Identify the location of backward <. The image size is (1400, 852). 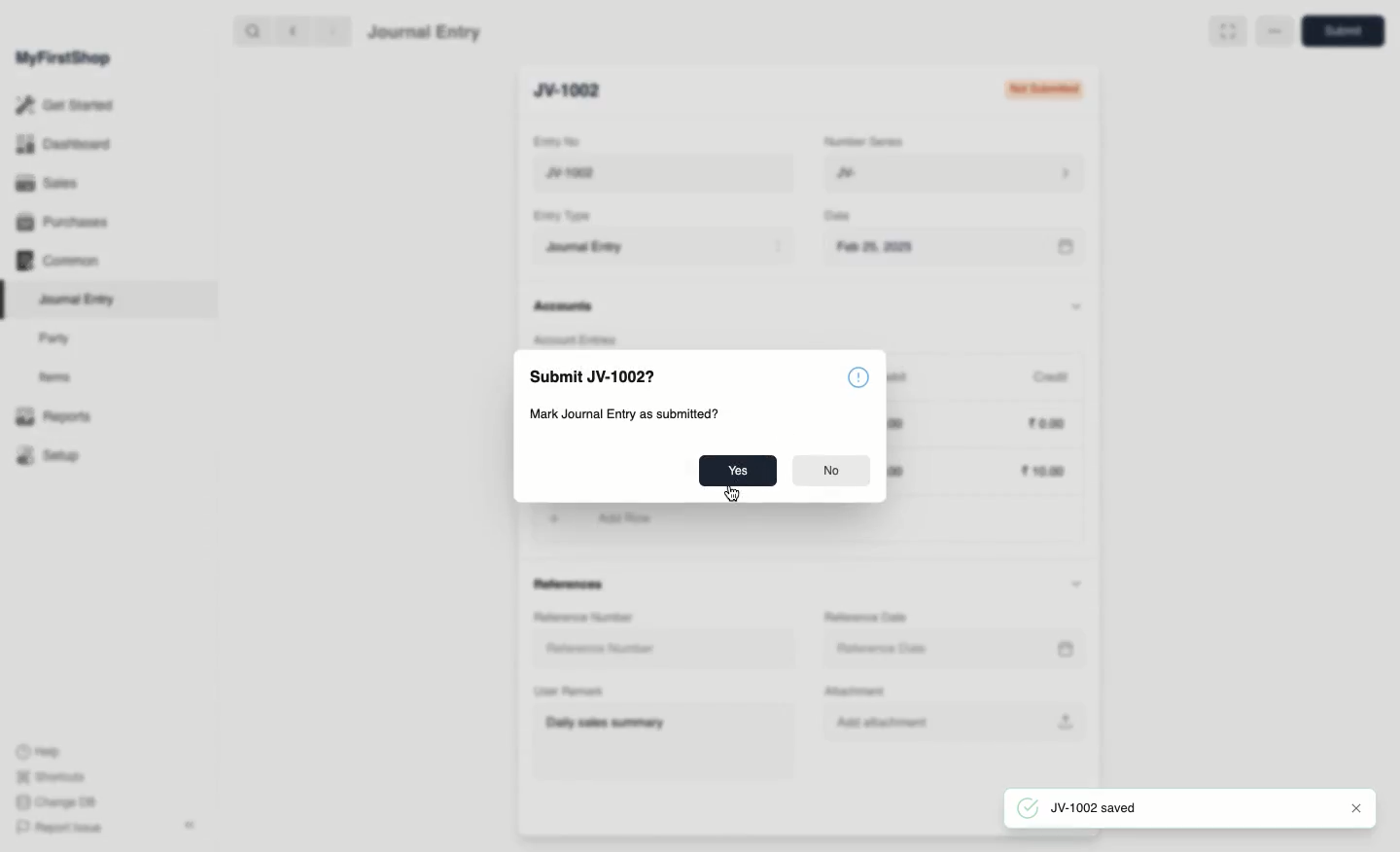
(288, 31).